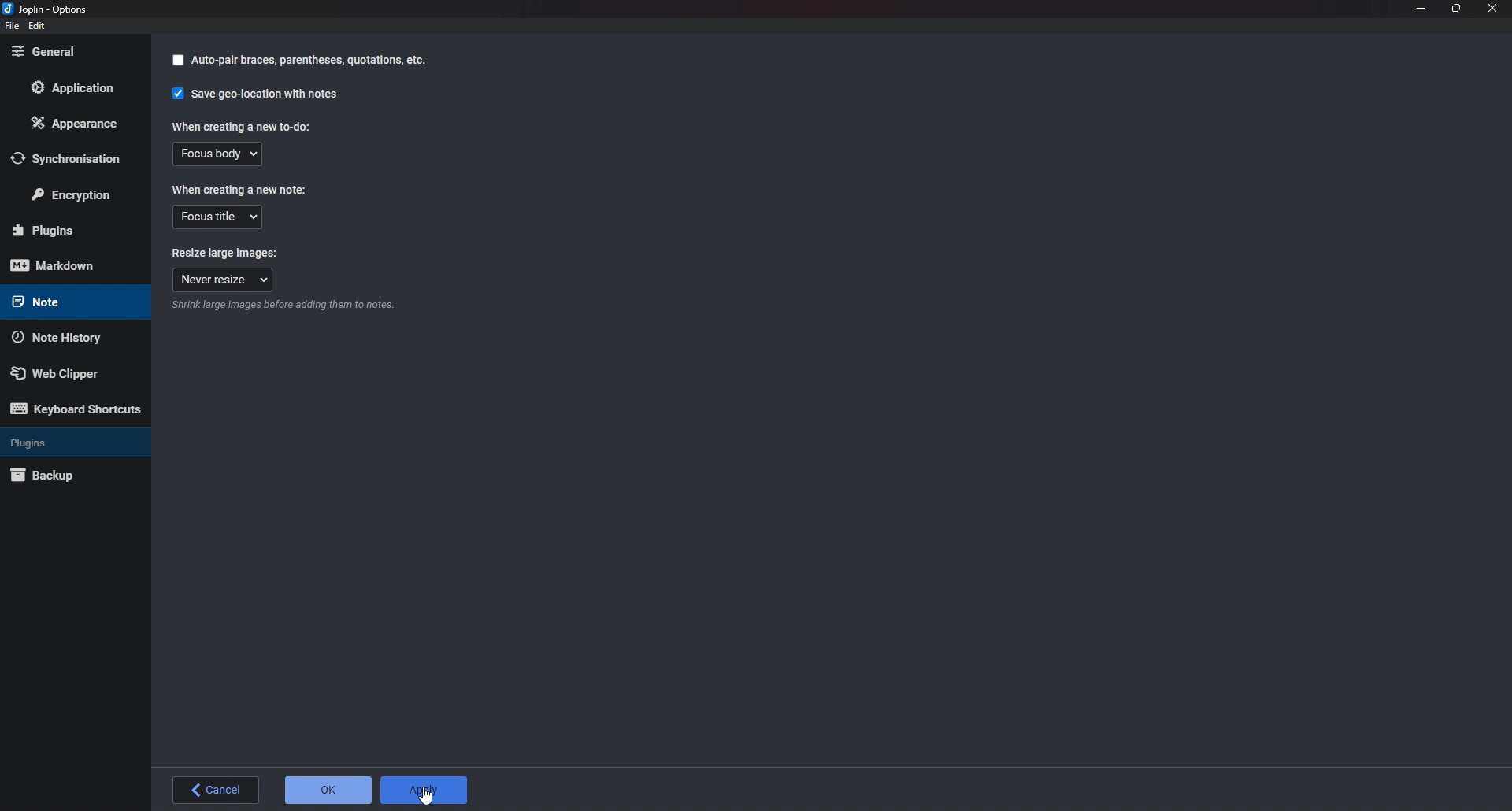 The height and width of the screenshot is (811, 1512). What do you see at coordinates (1422, 8) in the screenshot?
I see `Minimize` at bounding box center [1422, 8].